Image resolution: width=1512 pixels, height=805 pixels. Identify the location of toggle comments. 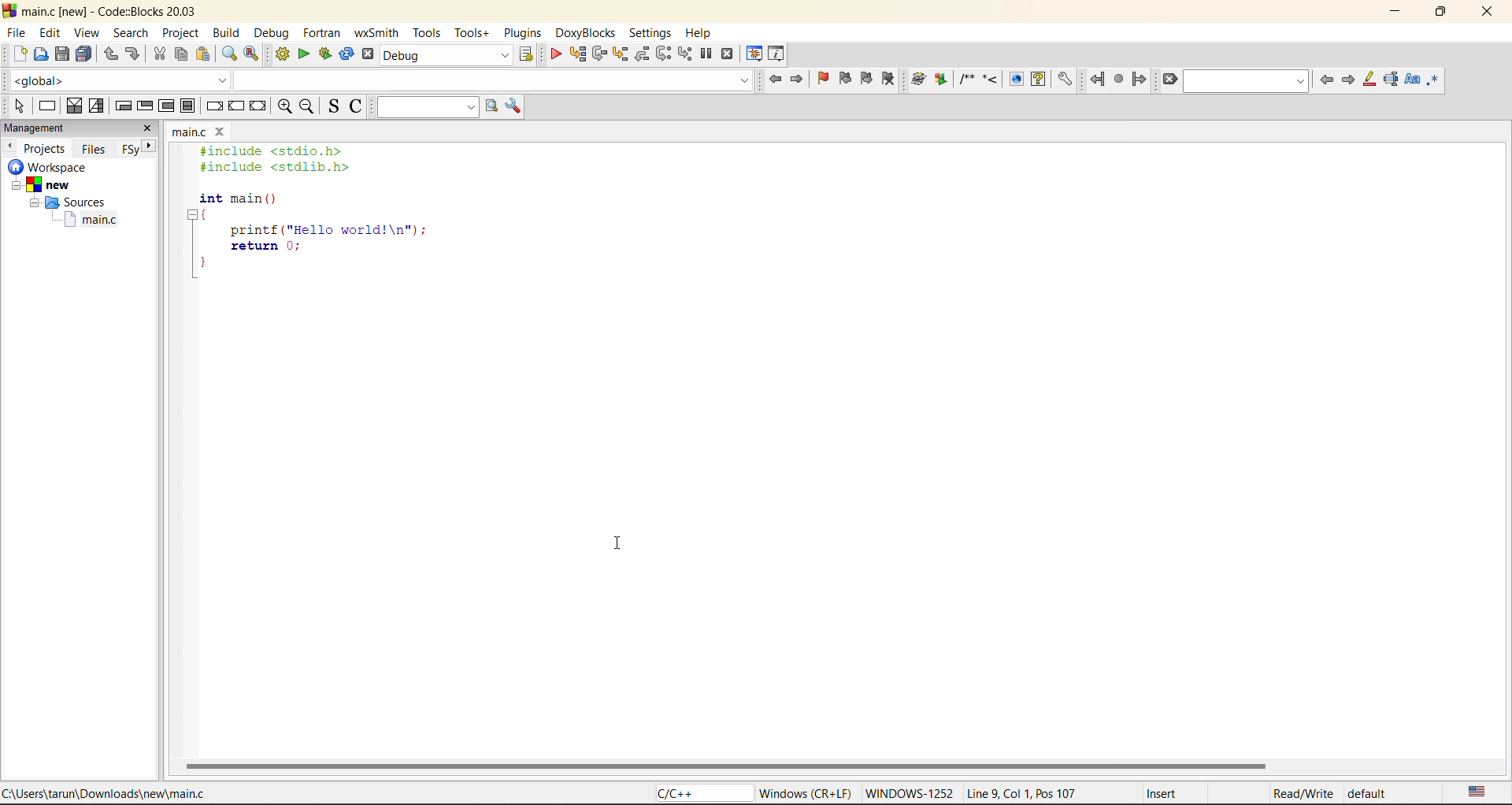
(357, 107).